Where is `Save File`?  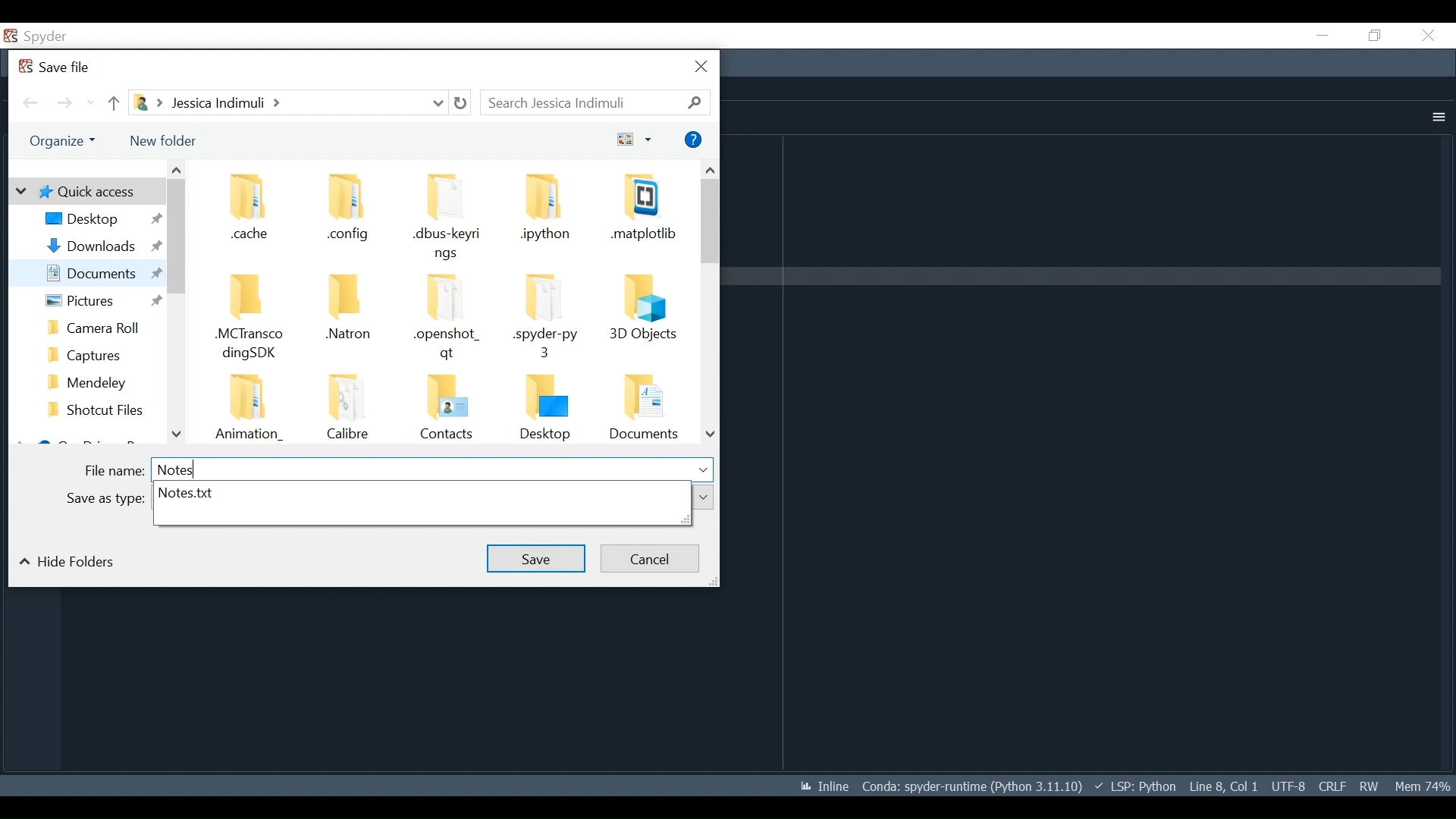 Save File is located at coordinates (57, 67).